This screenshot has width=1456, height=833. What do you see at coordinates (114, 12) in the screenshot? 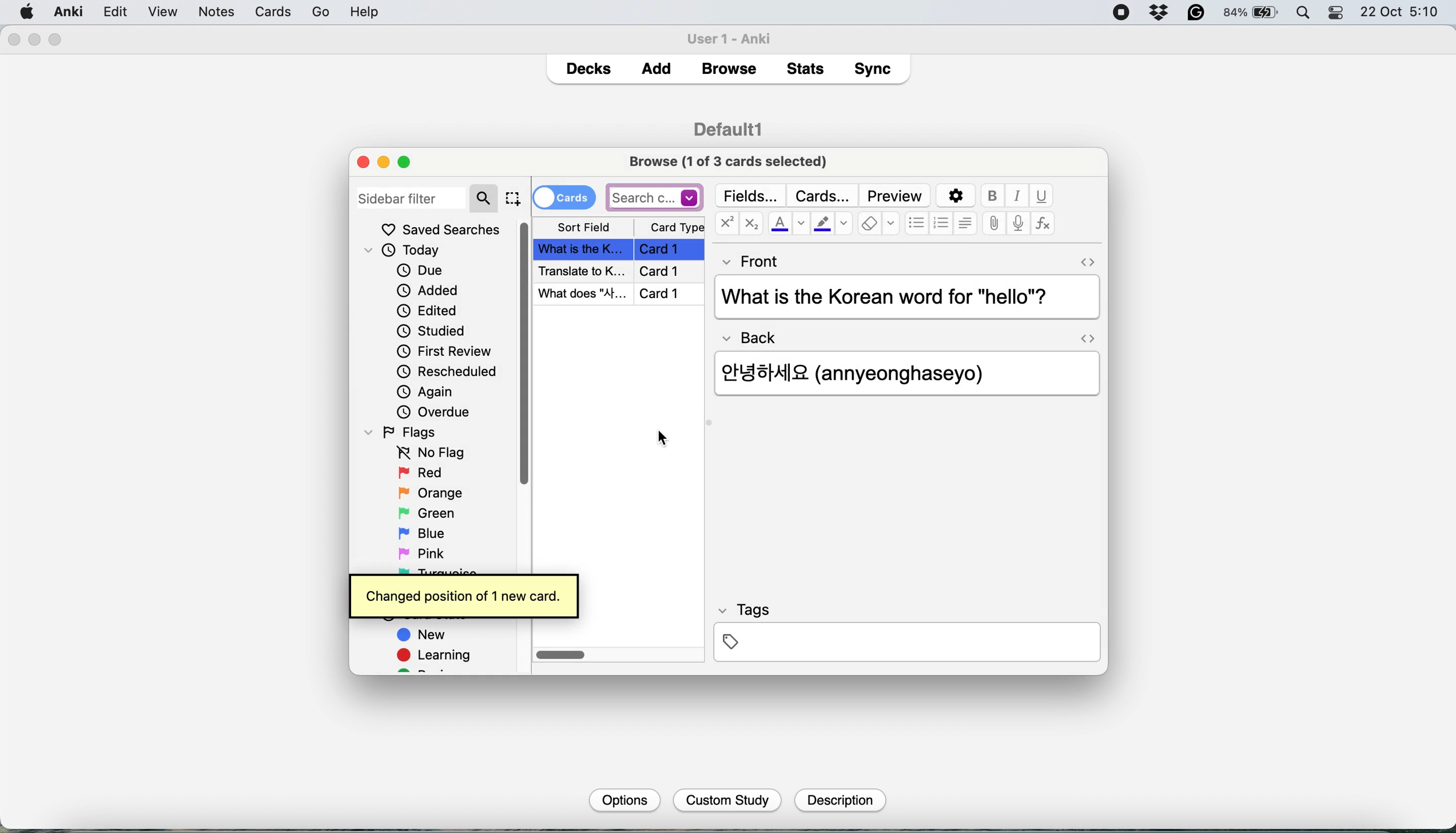
I see `file` at bounding box center [114, 12].